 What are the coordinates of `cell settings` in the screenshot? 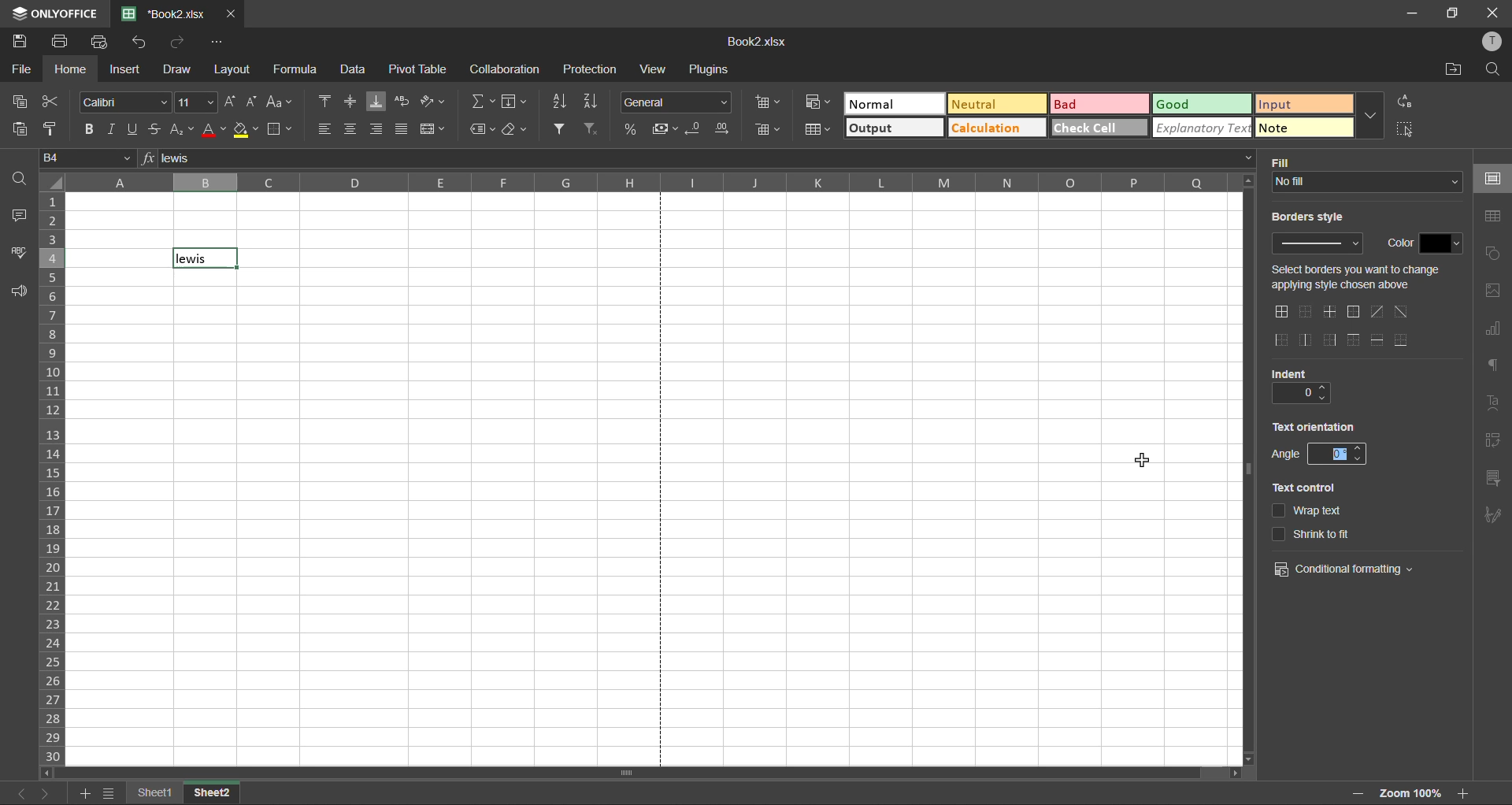 It's located at (1492, 180).